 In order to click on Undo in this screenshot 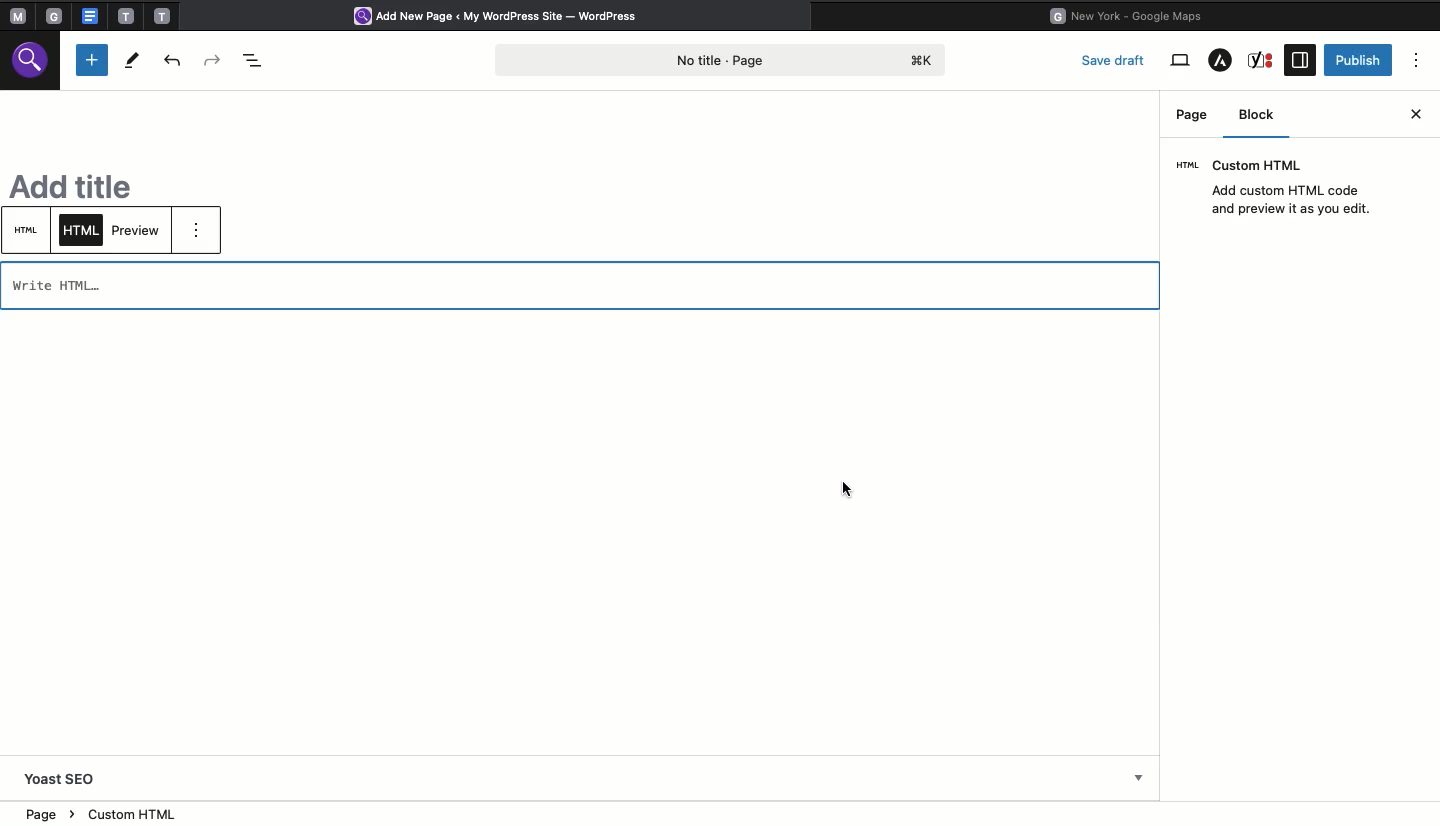, I will do `click(175, 60)`.